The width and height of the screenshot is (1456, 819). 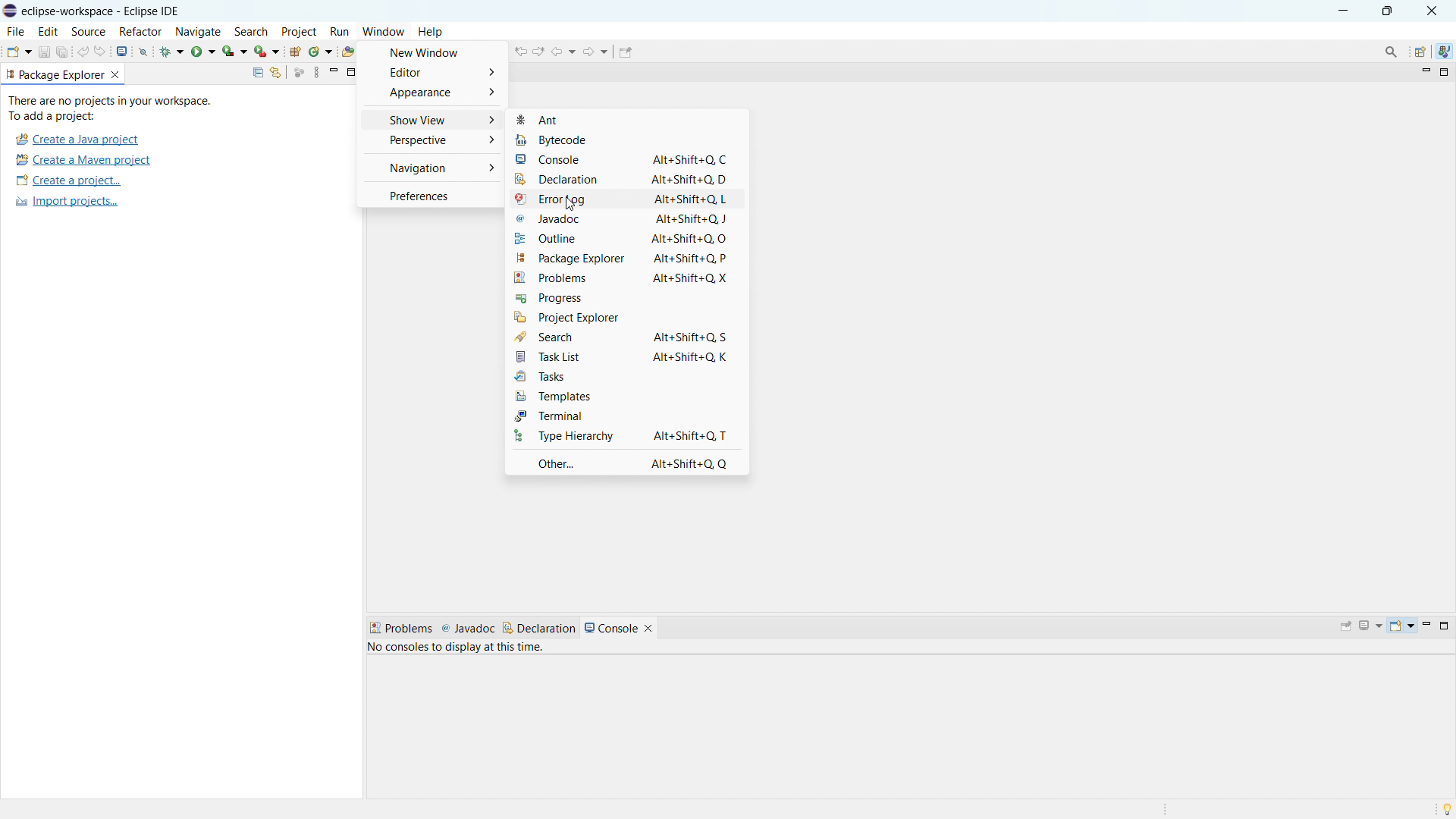 I want to click on No consoles to display at the time, so click(x=538, y=648).